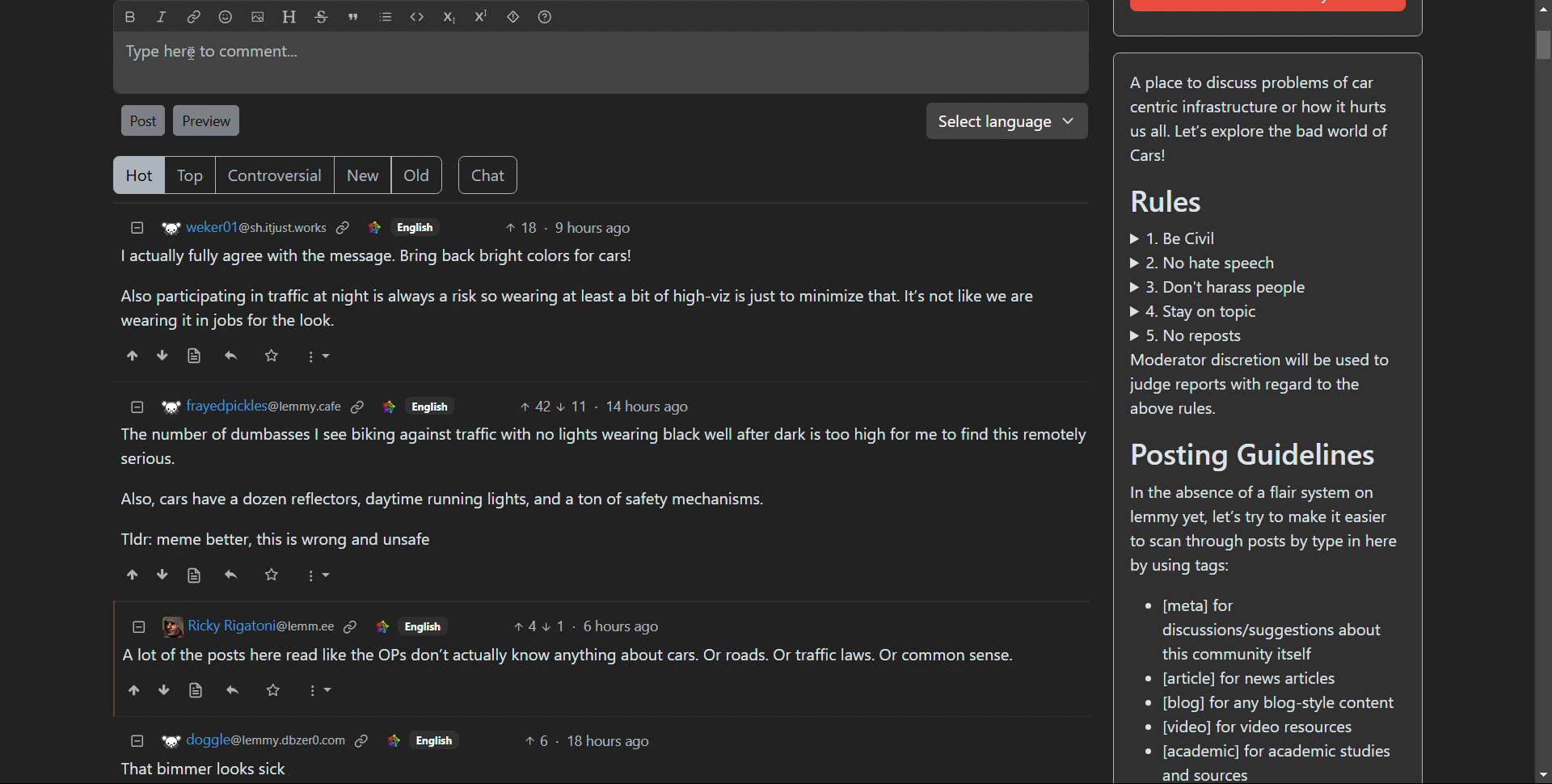 Image resolution: width=1552 pixels, height=784 pixels. What do you see at coordinates (436, 739) in the screenshot?
I see `` at bounding box center [436, 739].